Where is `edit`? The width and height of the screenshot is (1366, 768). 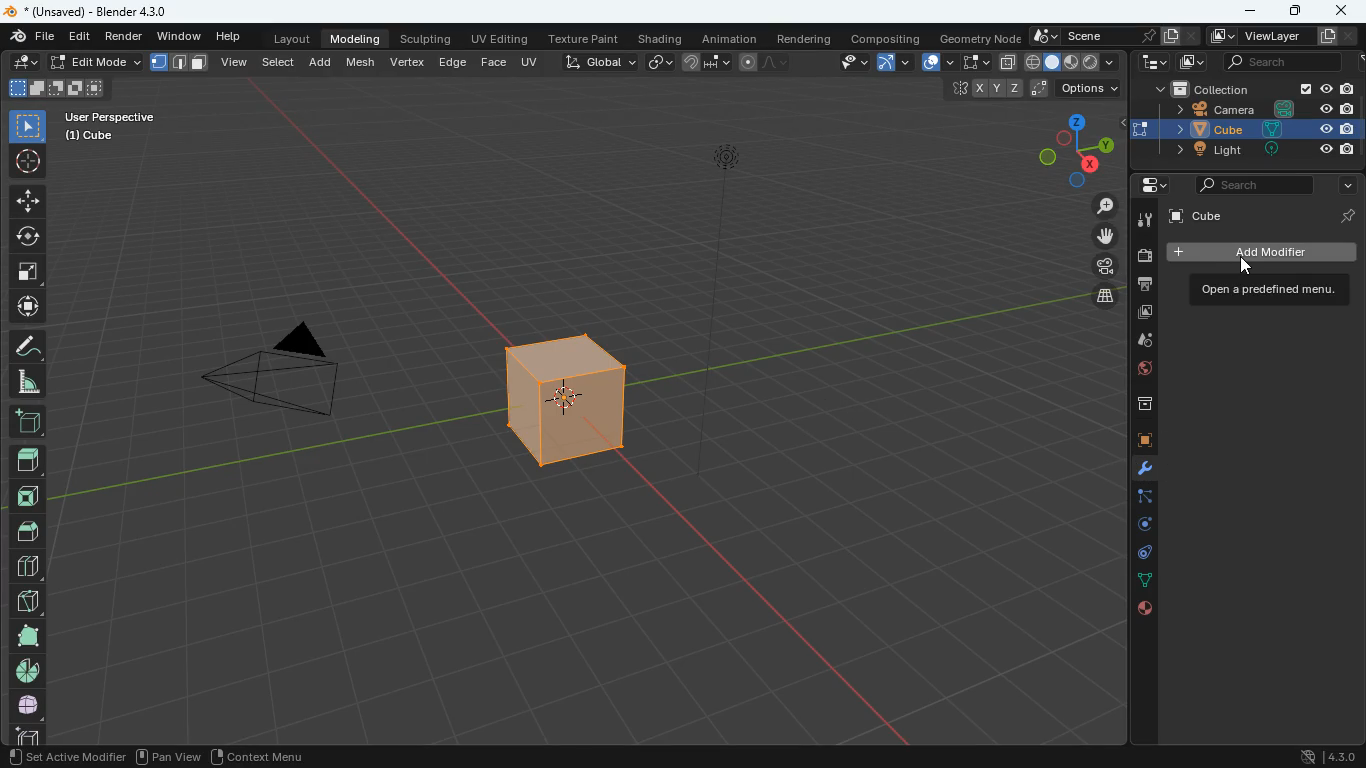 edit is located at coordinates (844, 64).